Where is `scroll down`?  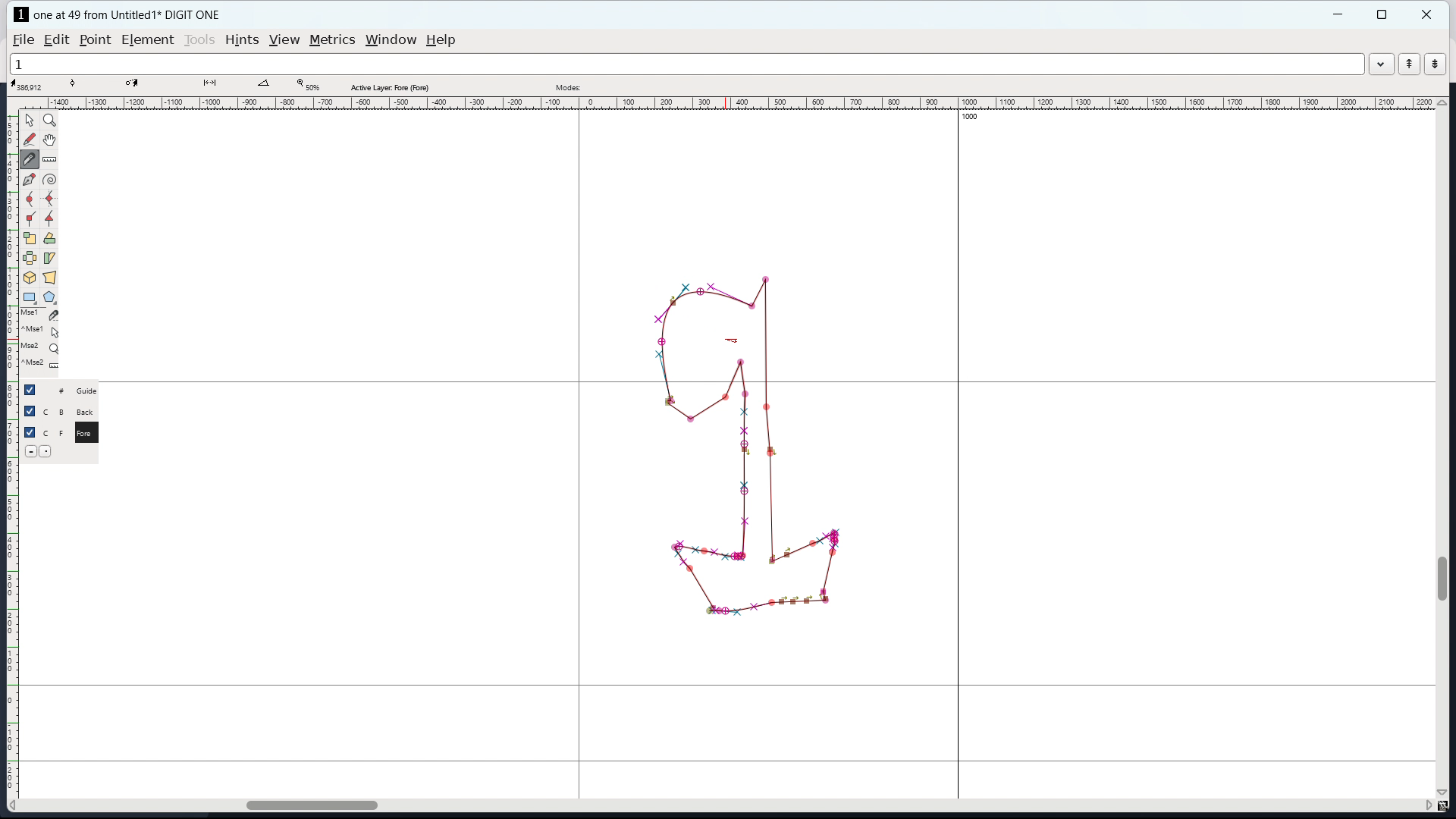 scroll down is located at coordinates (1443, 792).